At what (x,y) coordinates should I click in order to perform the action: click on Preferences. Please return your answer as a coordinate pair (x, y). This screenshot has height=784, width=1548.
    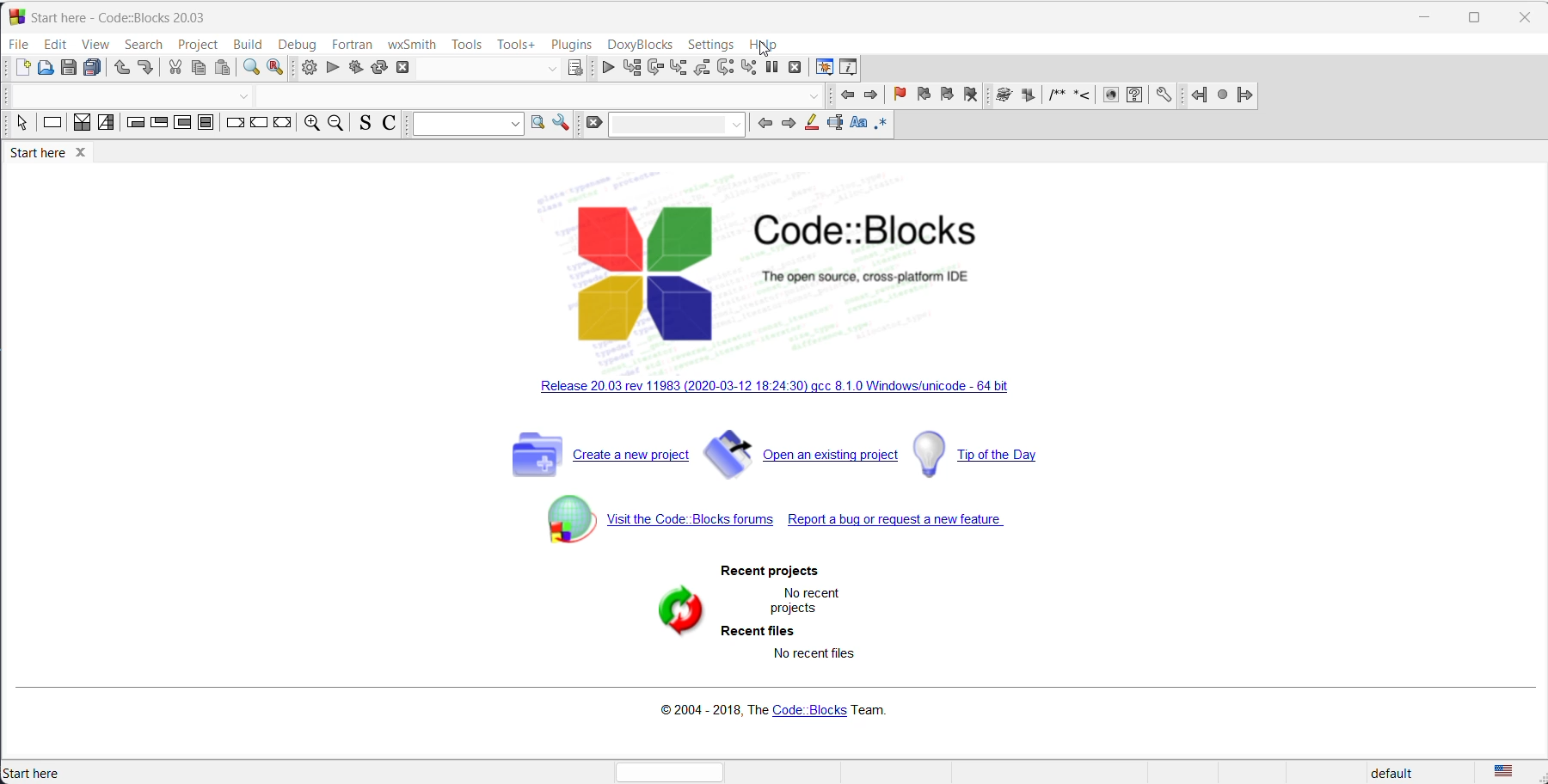
    Looking at the image, I should click on (1164, 96).